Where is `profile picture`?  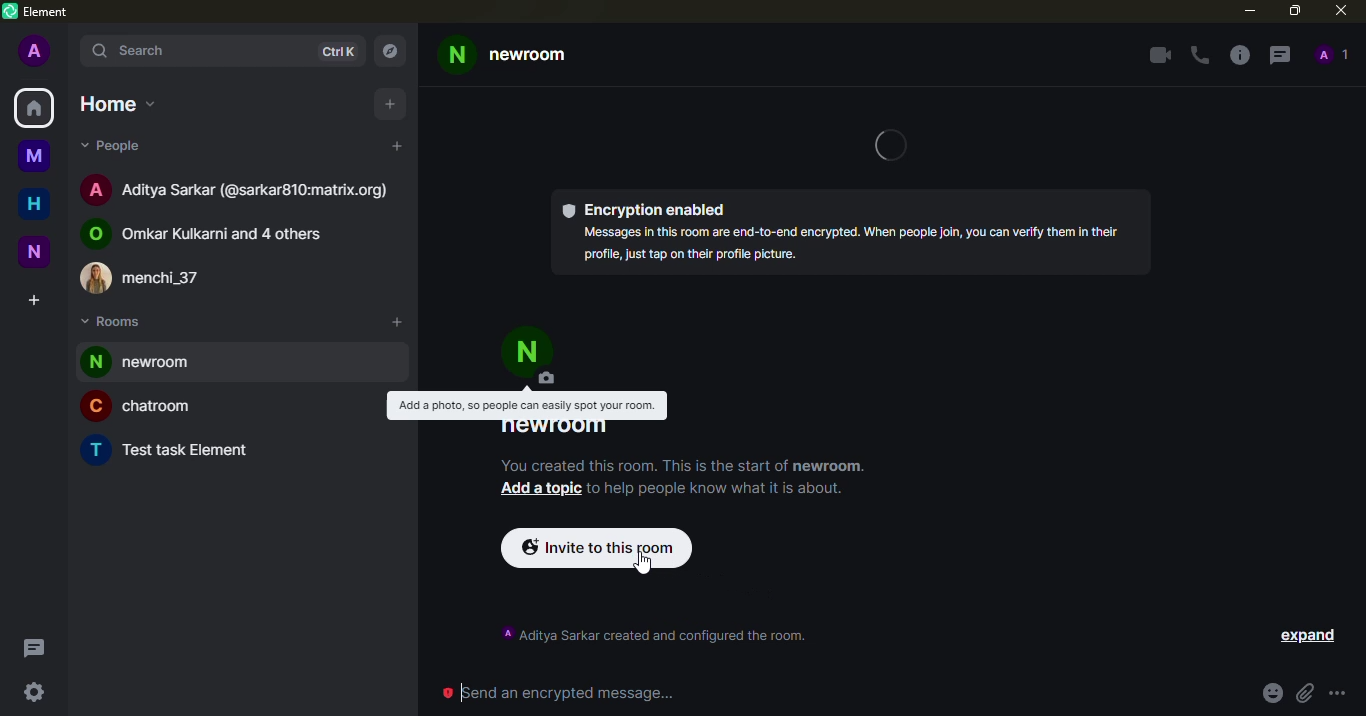
profile picture is located at coordinates (526, 354).